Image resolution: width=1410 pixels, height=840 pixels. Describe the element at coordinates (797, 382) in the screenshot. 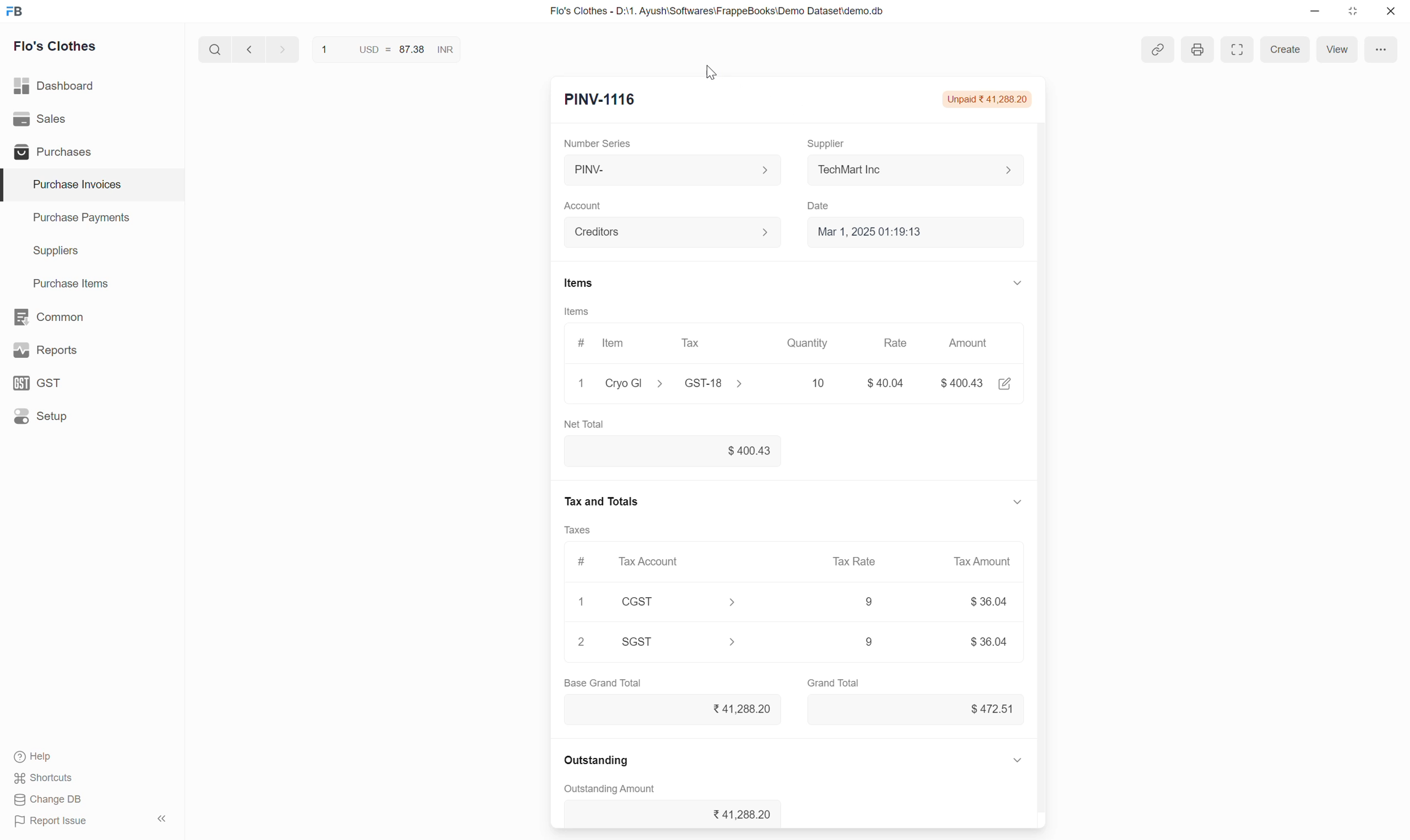

I see `10` at that location.